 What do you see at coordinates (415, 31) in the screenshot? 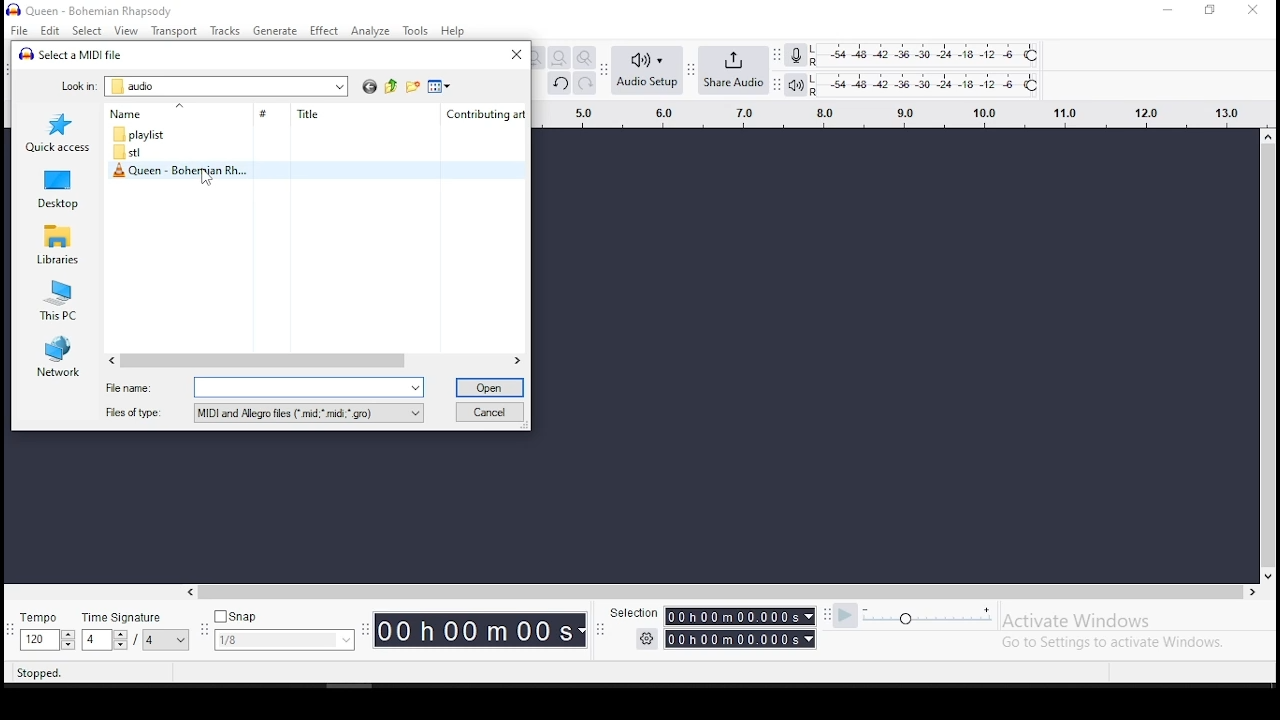
I see `tools` at bounding box center [415, 31].